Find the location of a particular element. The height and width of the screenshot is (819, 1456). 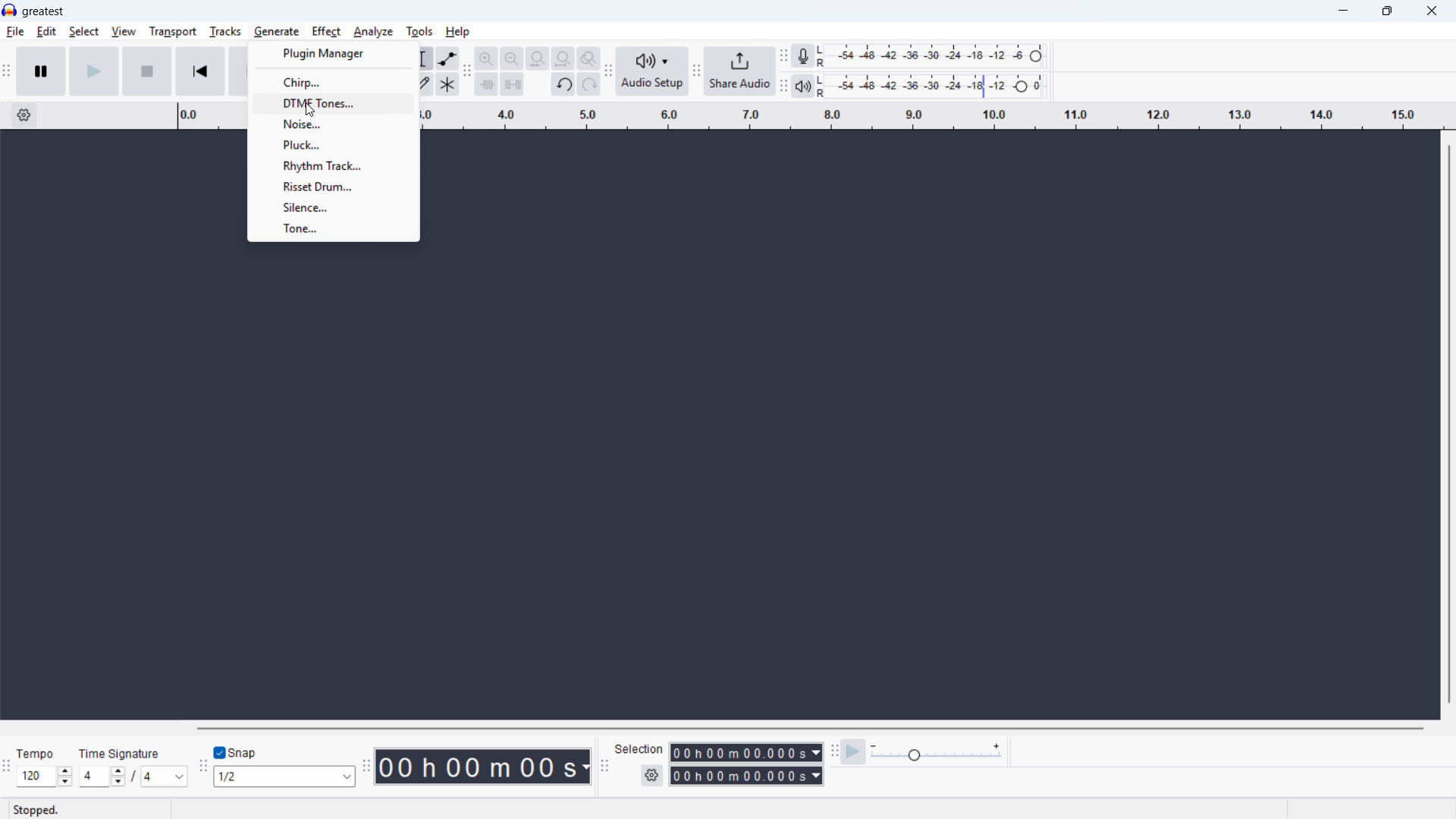

fit project to width is located at coordinates (563, 58).